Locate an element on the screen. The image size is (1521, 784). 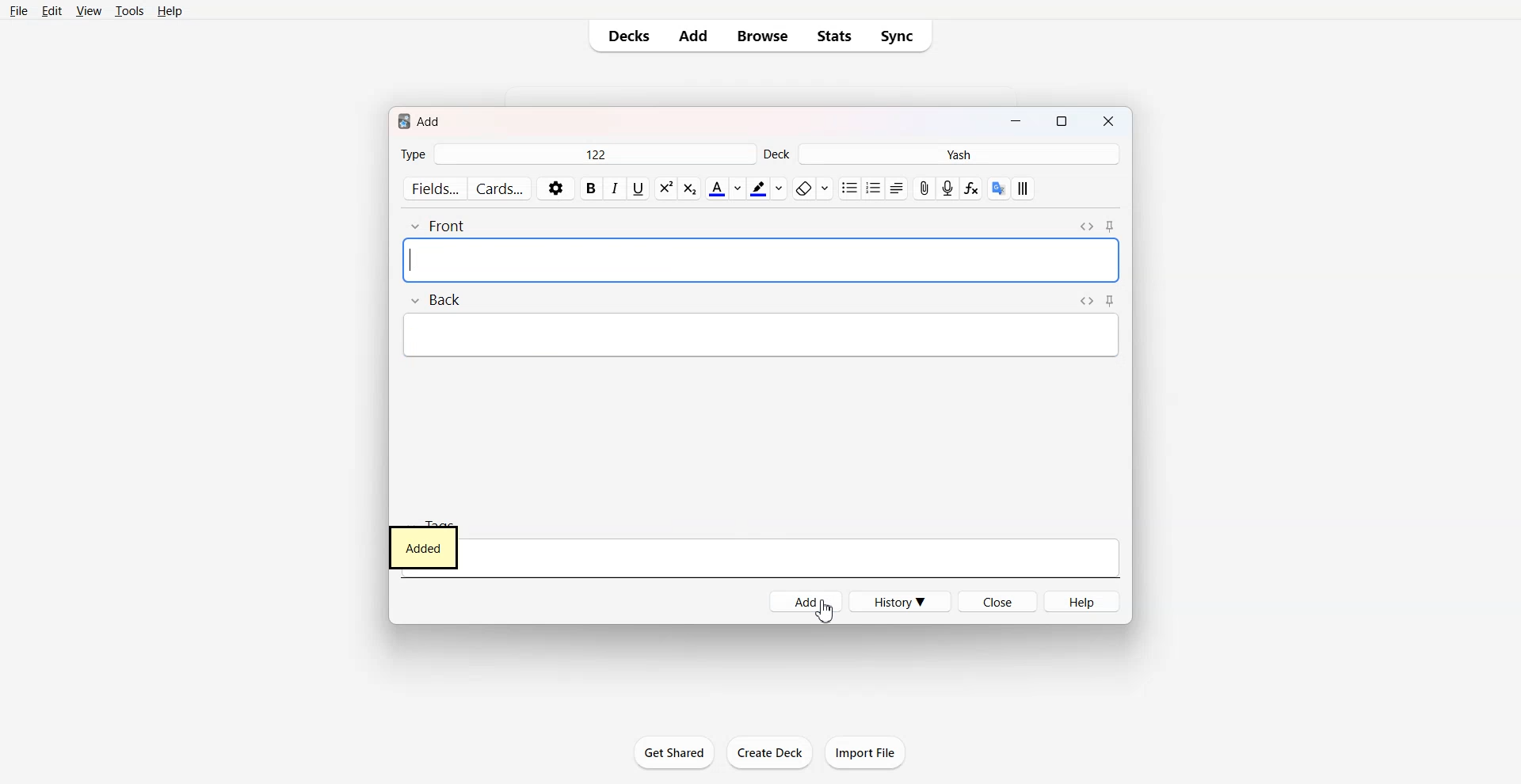
Edit is located at coordinates (51, 12).